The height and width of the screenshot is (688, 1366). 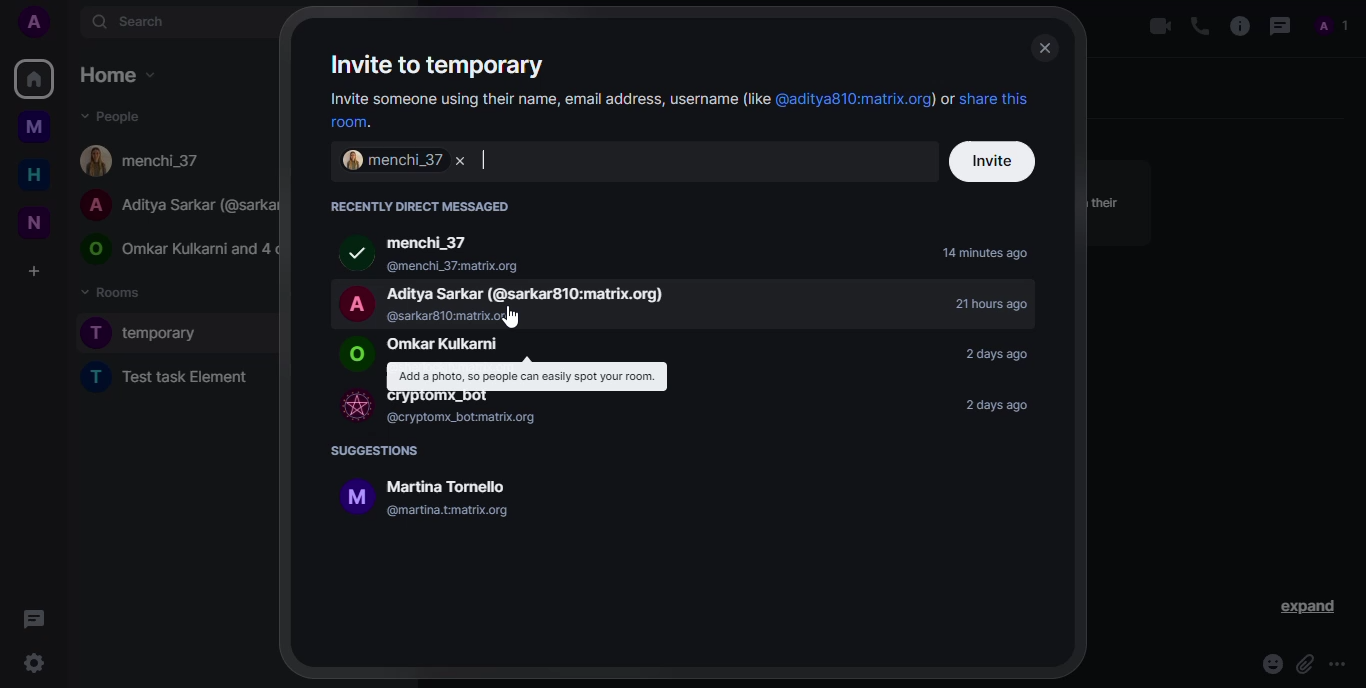 What do you see at coordinates (1338, 664) in the screenshot?
I see `more` at bounding box center [1338, 664].